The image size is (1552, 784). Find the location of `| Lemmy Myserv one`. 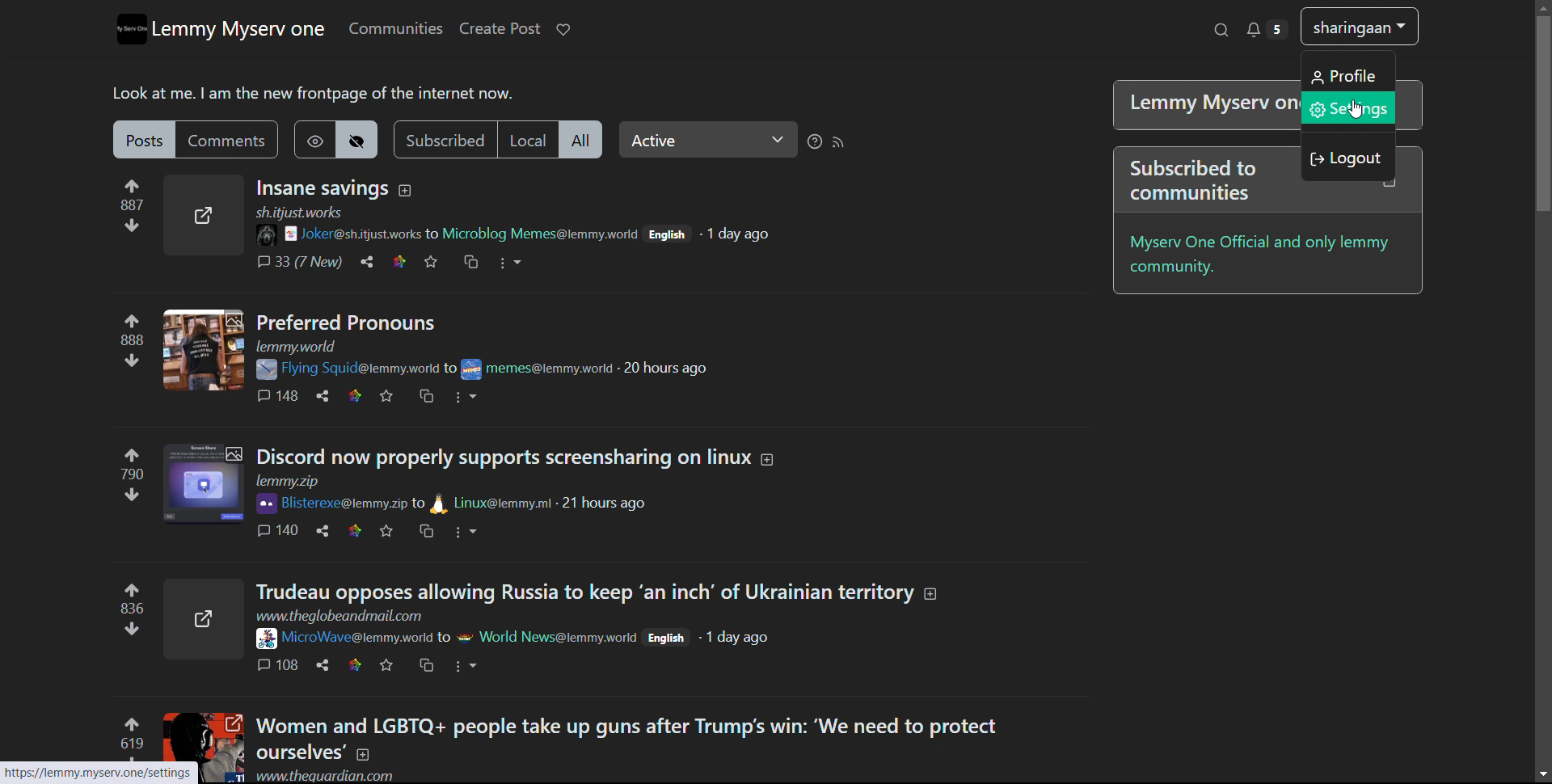

| Lemmy Myserv one is located at coordinates (1208, 103).